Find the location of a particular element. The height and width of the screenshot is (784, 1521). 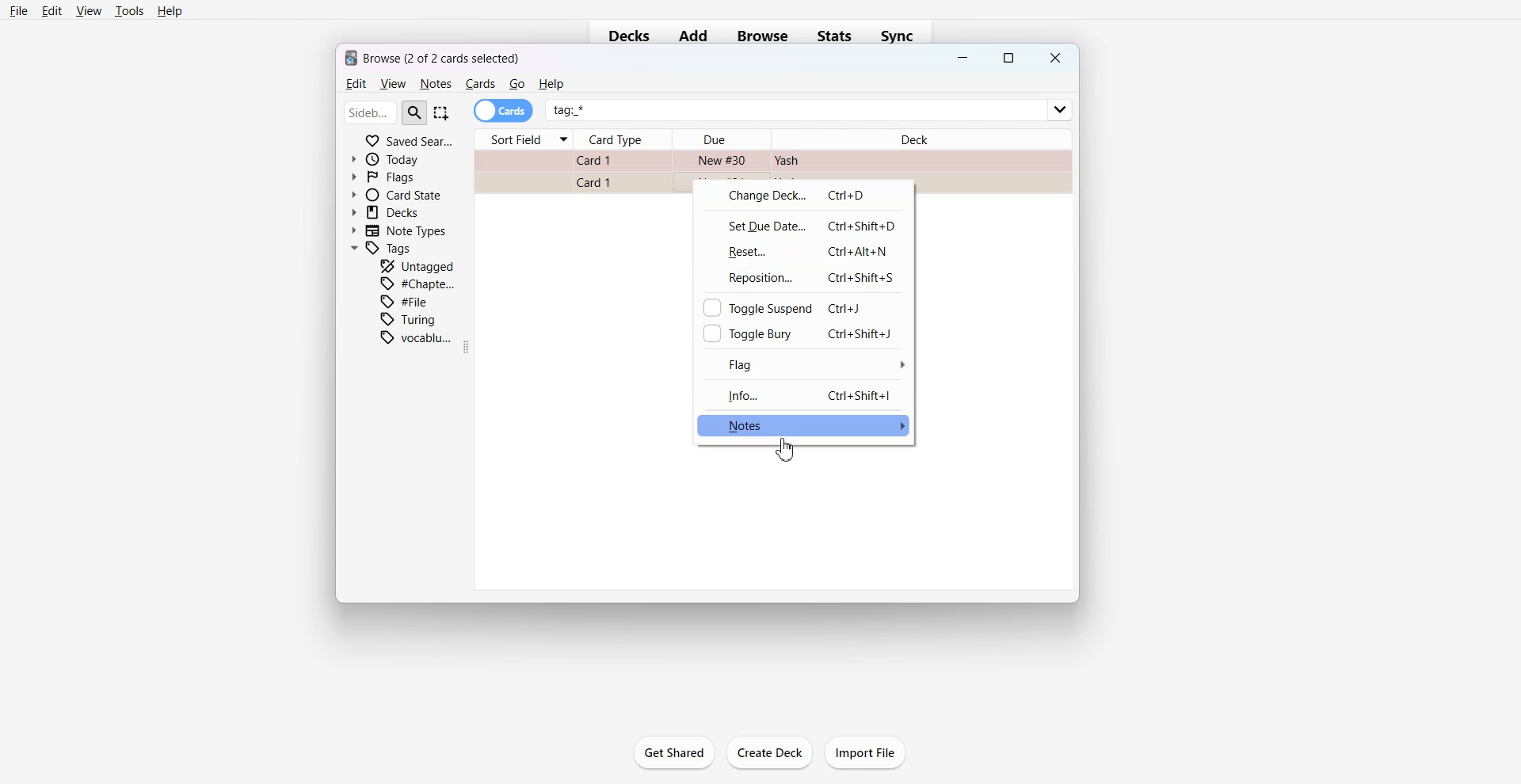

Help is located at coordinates (170, 12).